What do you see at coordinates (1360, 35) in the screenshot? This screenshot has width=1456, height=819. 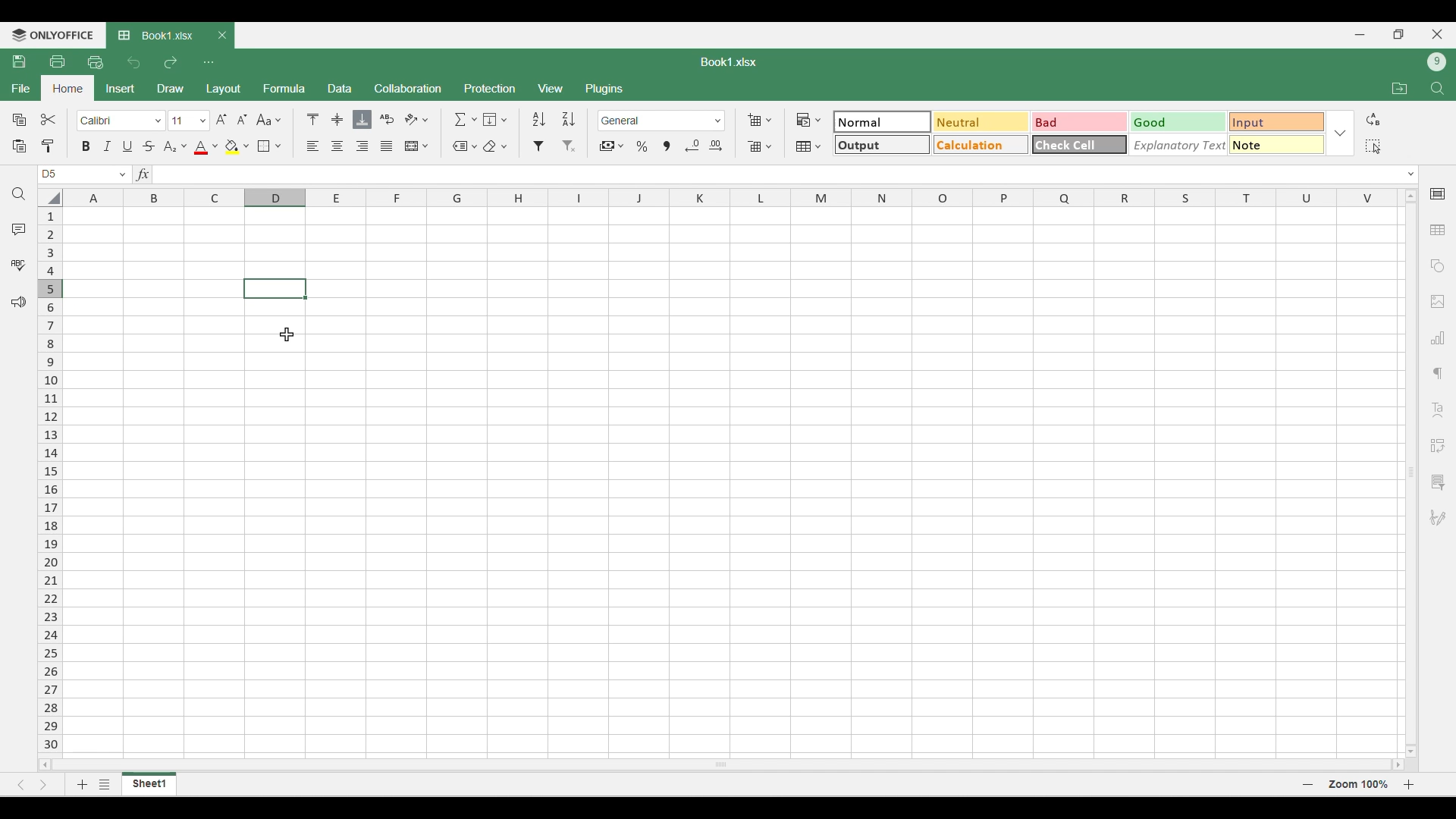 I see `Minimize` at bounding box center [1360, 35].